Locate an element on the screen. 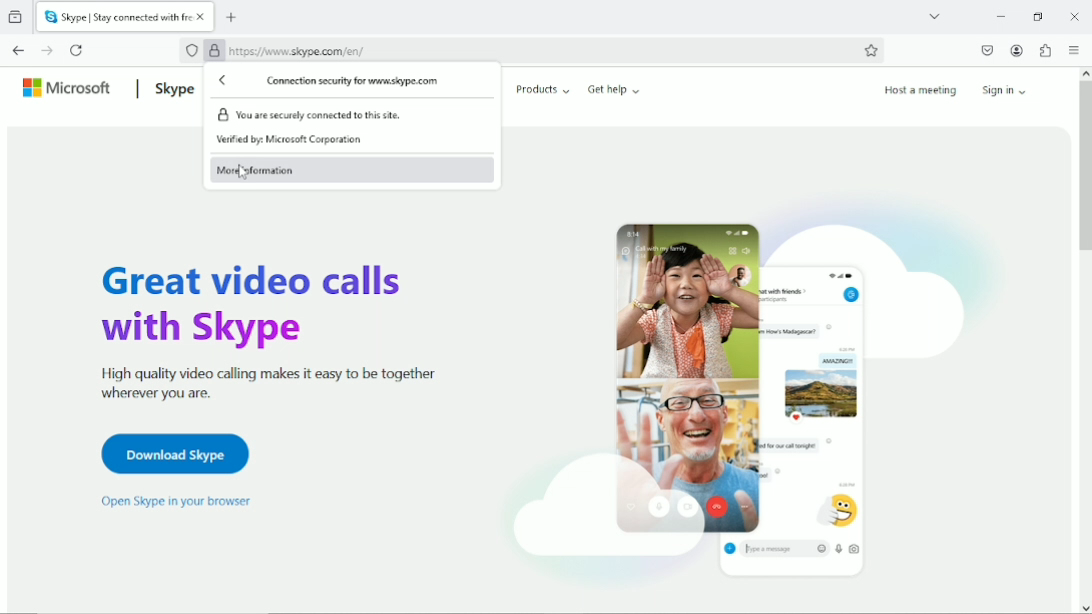 This screenshot has width=1092, height=614. View recent browsing is located at coordinates (17, 18).